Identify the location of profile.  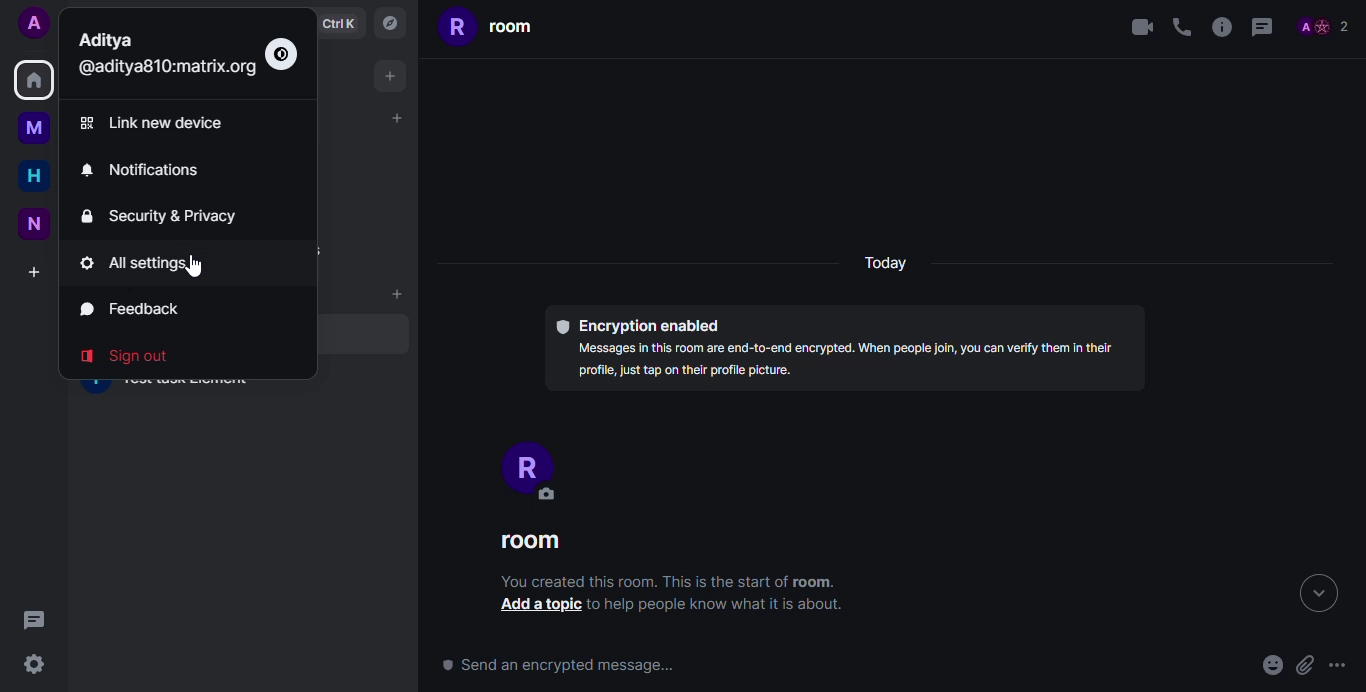
(32, 24).